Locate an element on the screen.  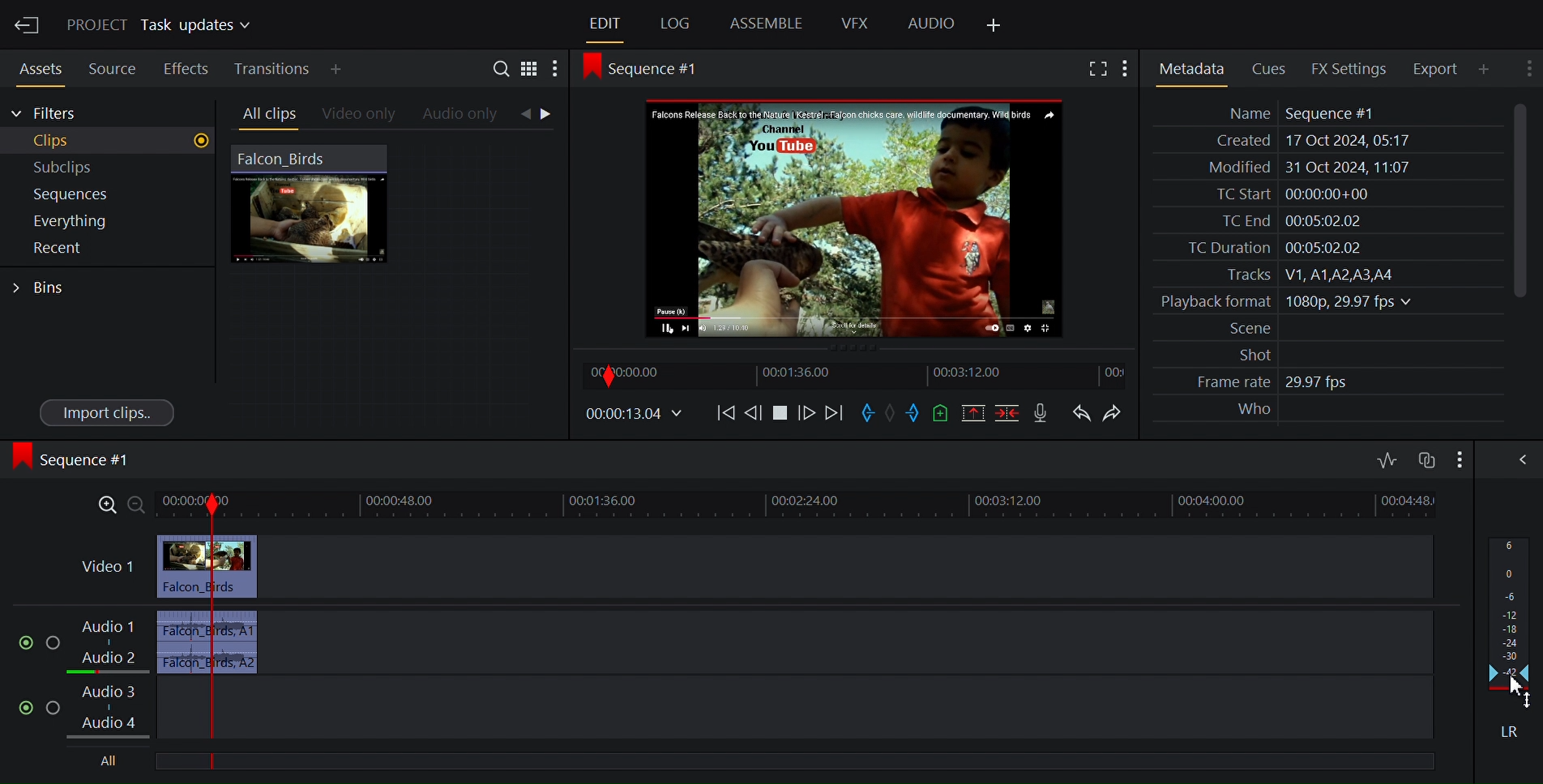
Audio 4 is located at coordinates (113, 724).